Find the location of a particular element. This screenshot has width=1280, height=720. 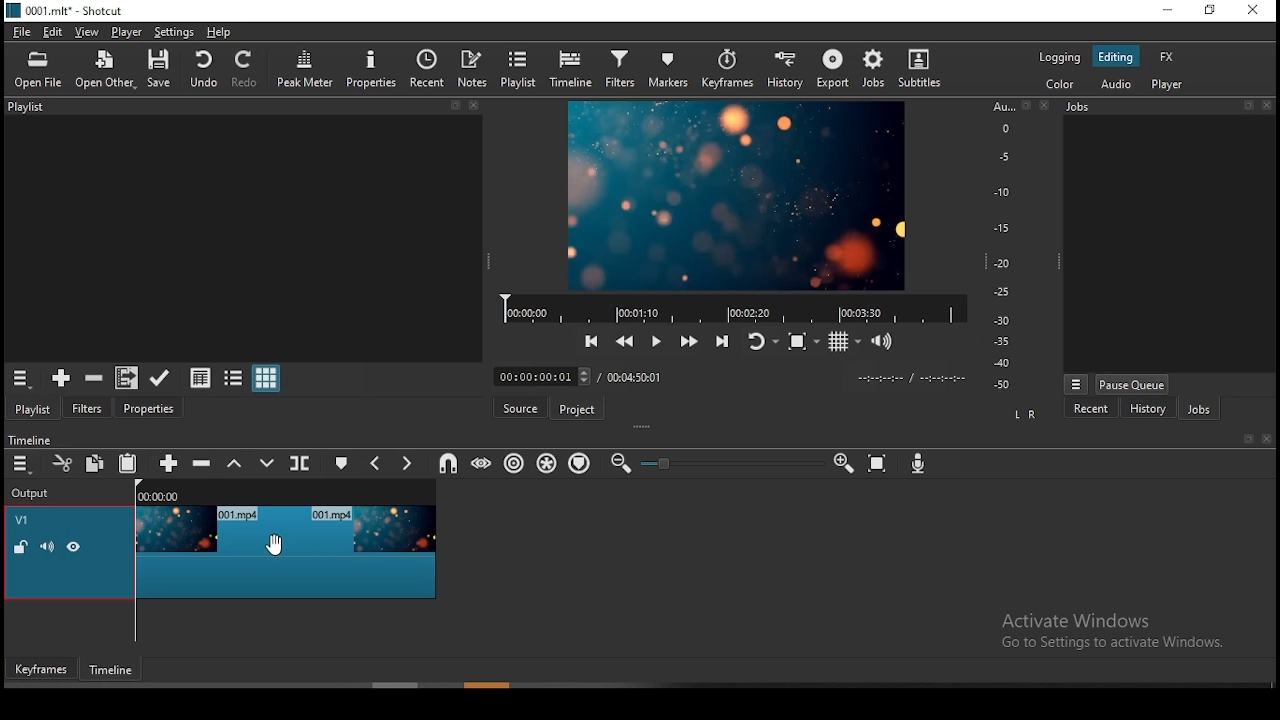

elapsed time is located at coordinates (543, 376).